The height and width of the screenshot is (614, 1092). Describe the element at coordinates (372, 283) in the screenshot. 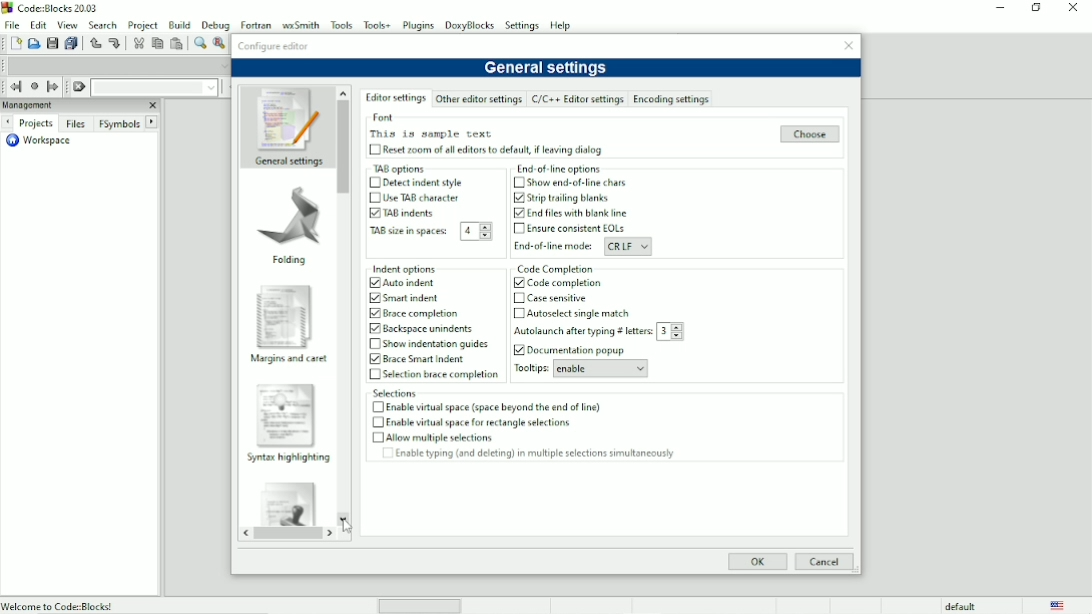

I see `` at that location.